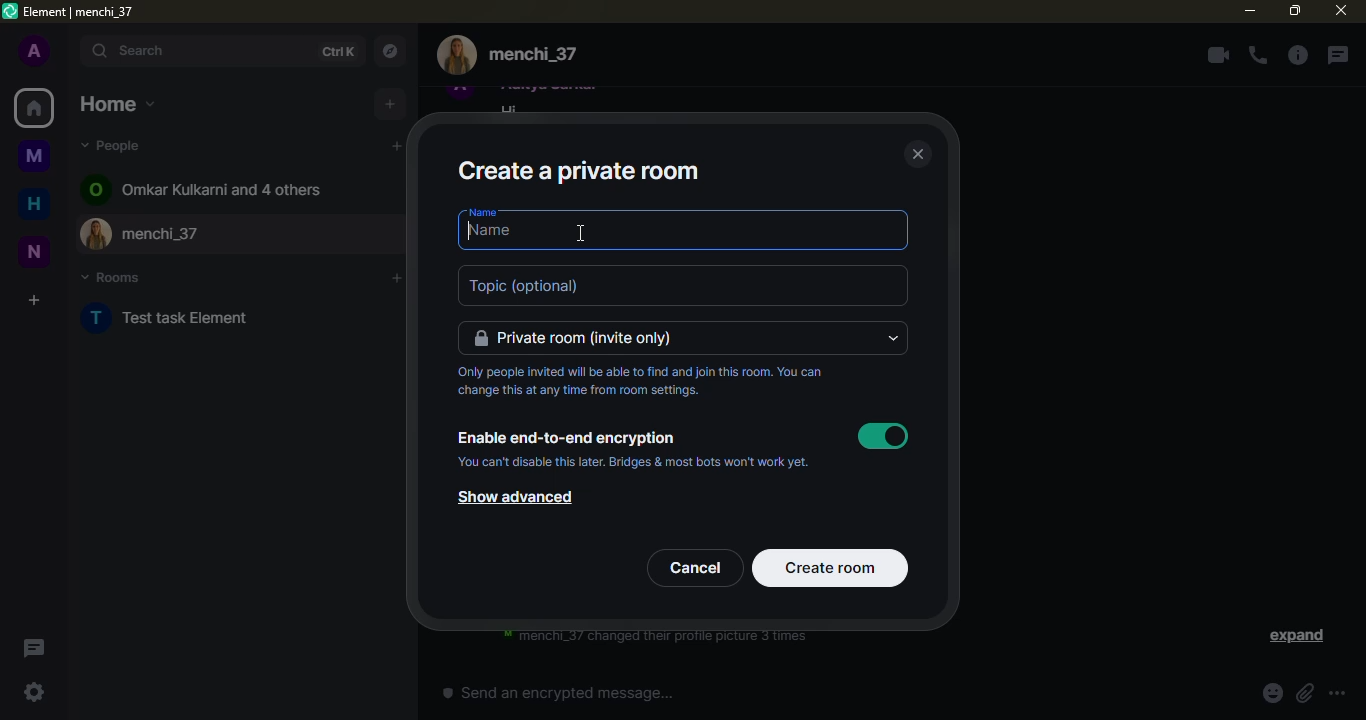  Describe the element at coordinates (1337, 55) in the screenshot. I see `threads` at that location.